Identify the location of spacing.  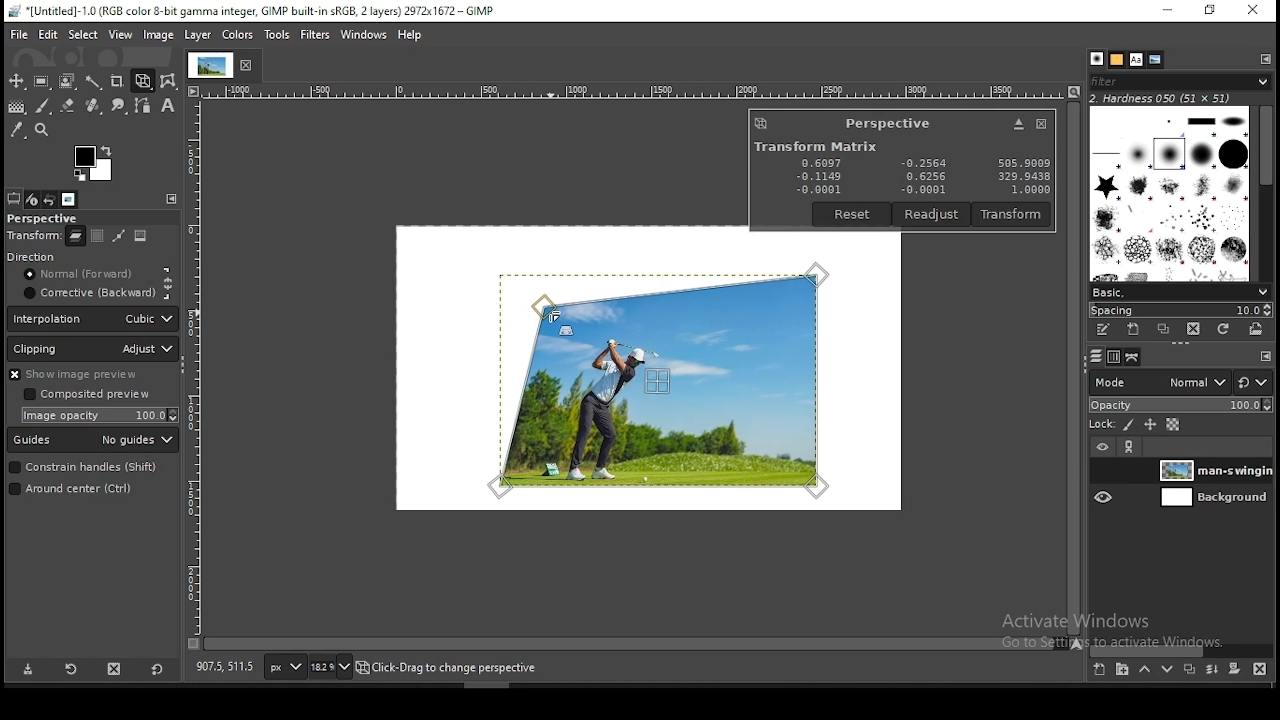
(1179, 309).